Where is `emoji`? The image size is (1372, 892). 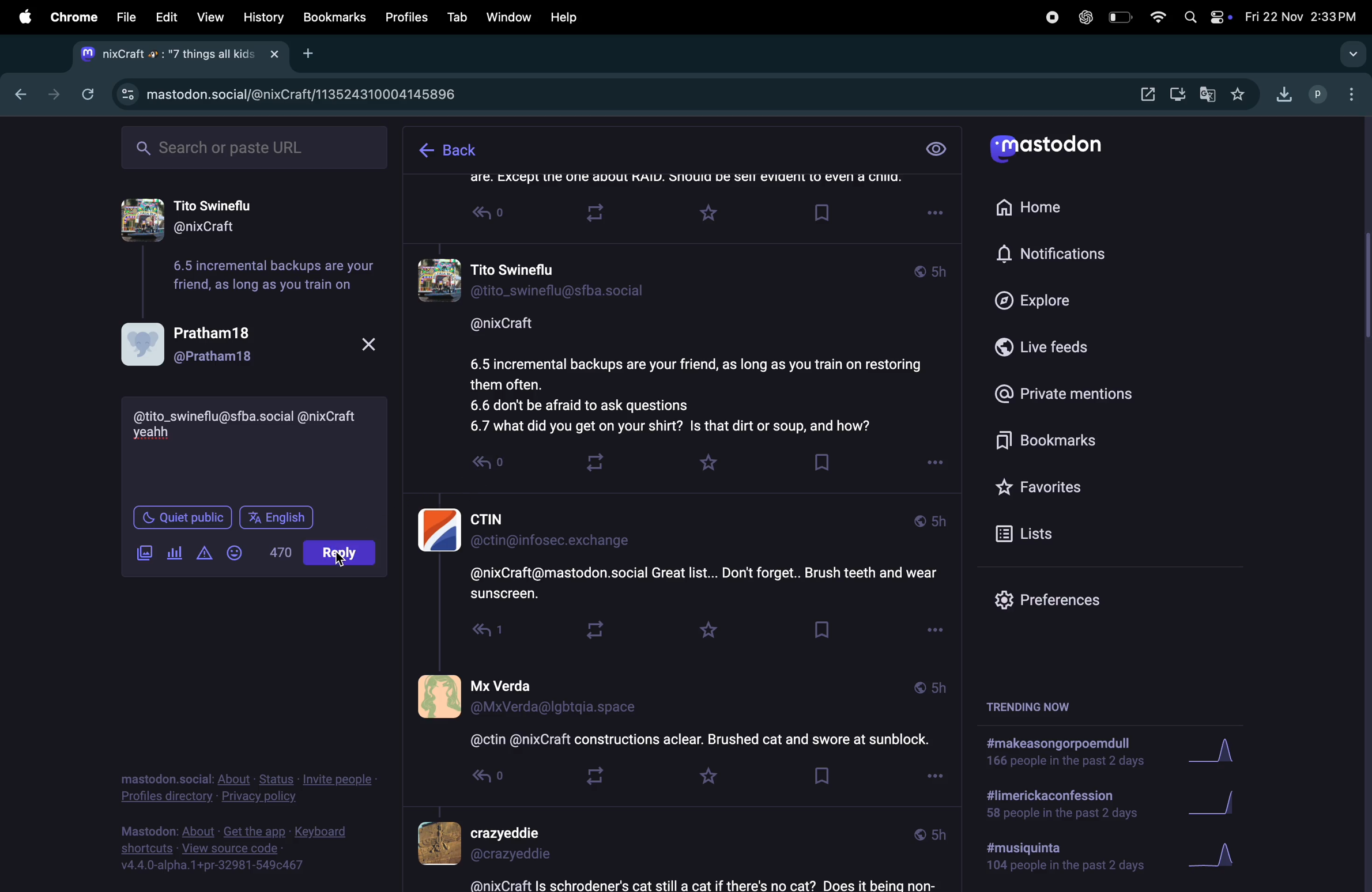 emoji is located at coordinates (244, 553).